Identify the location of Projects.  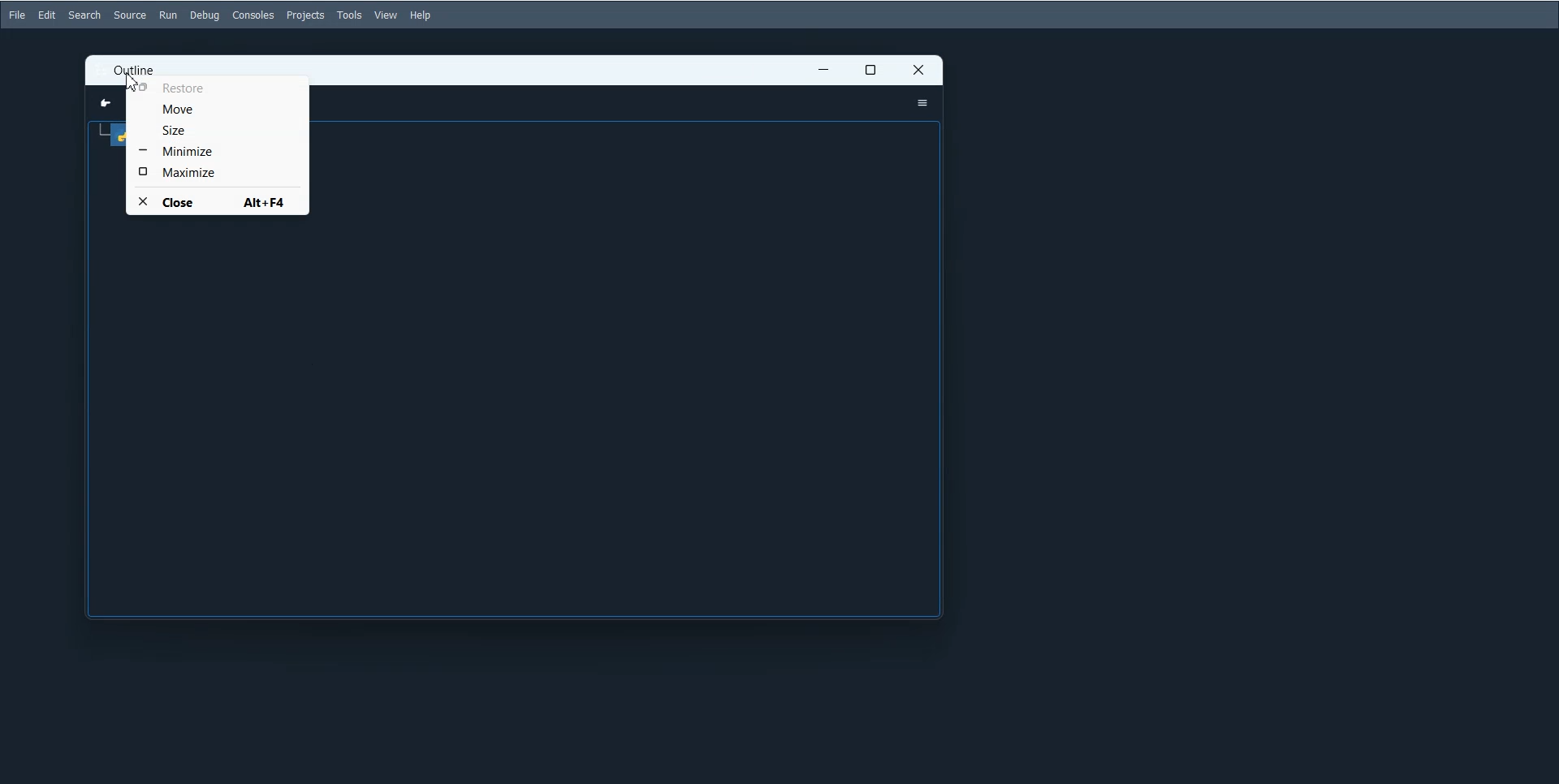
(305, 15).